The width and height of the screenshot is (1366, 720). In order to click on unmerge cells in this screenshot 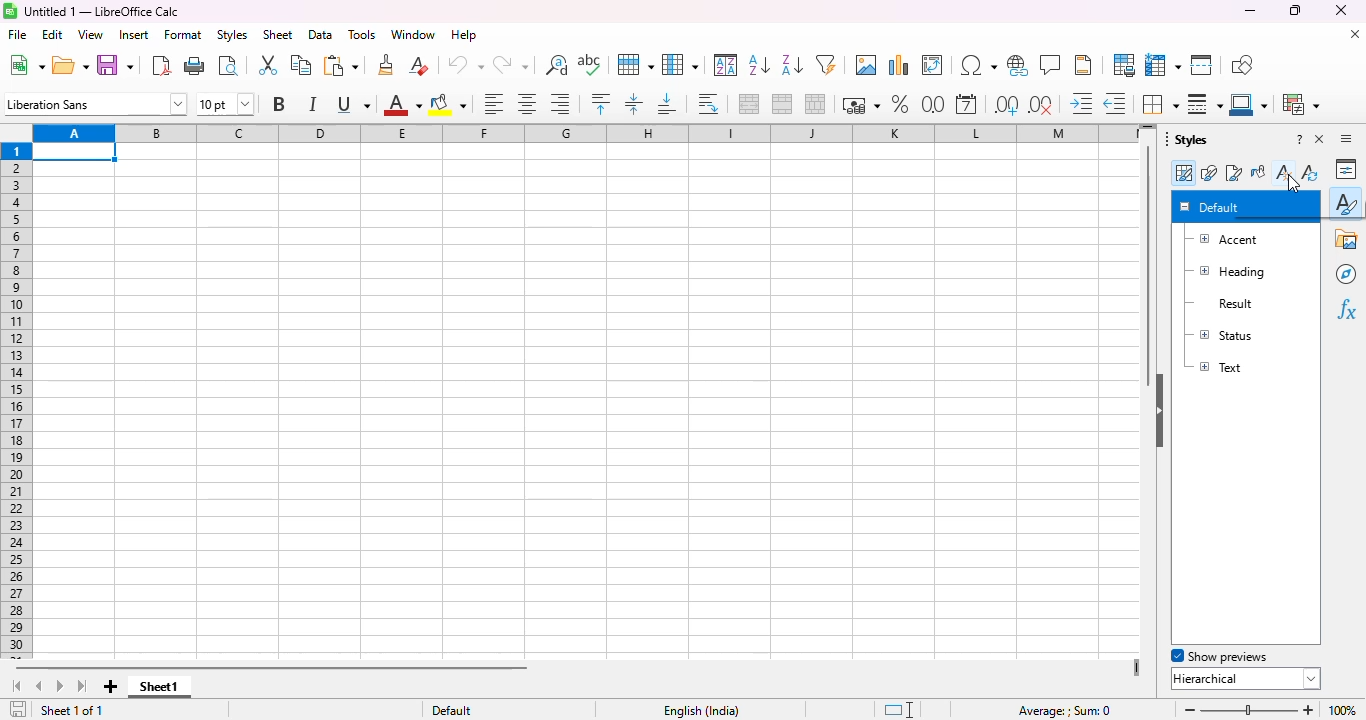, I will do `click(815, 104)`.